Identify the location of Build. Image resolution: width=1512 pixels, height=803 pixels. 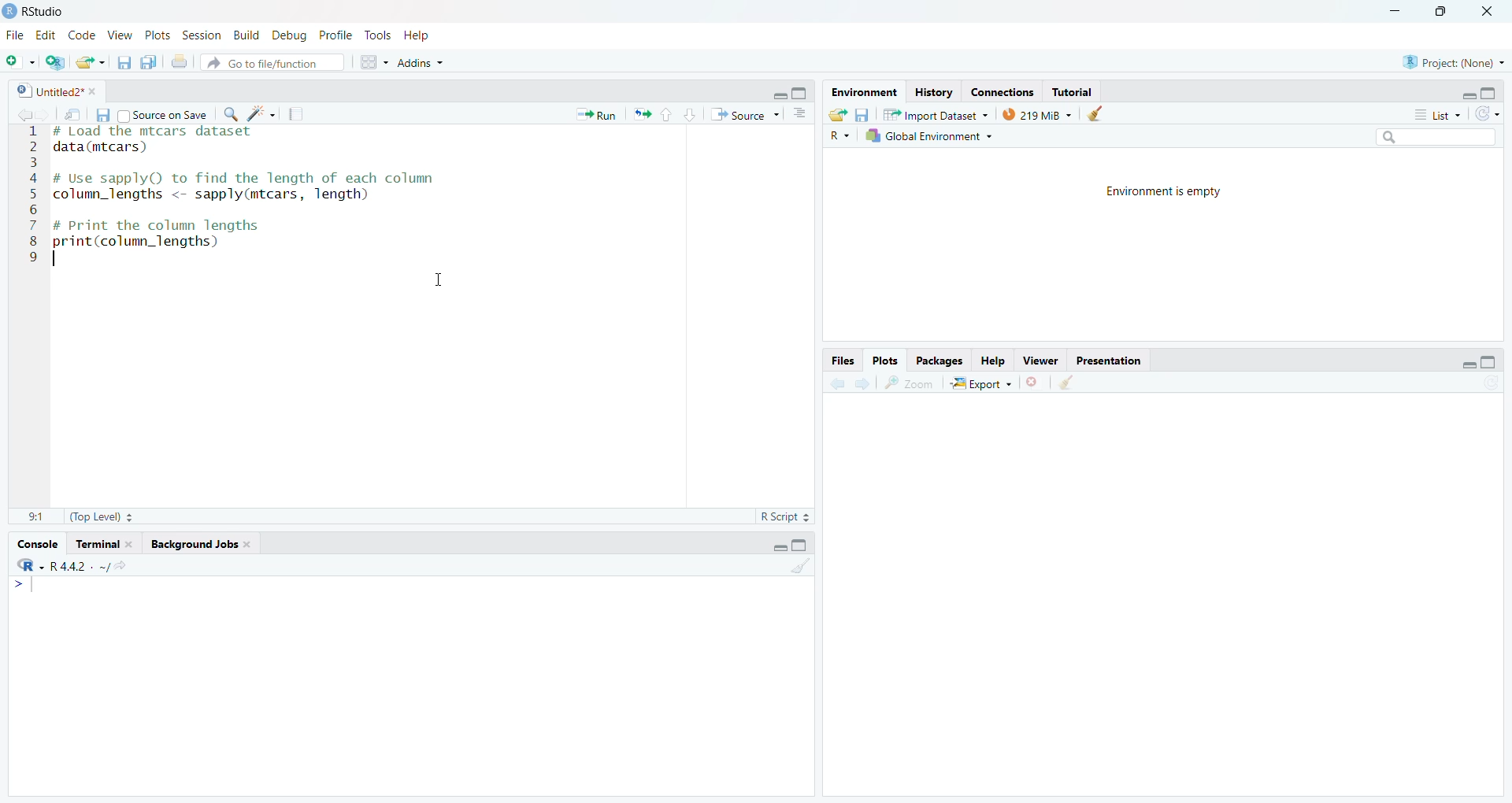
(247, 35).